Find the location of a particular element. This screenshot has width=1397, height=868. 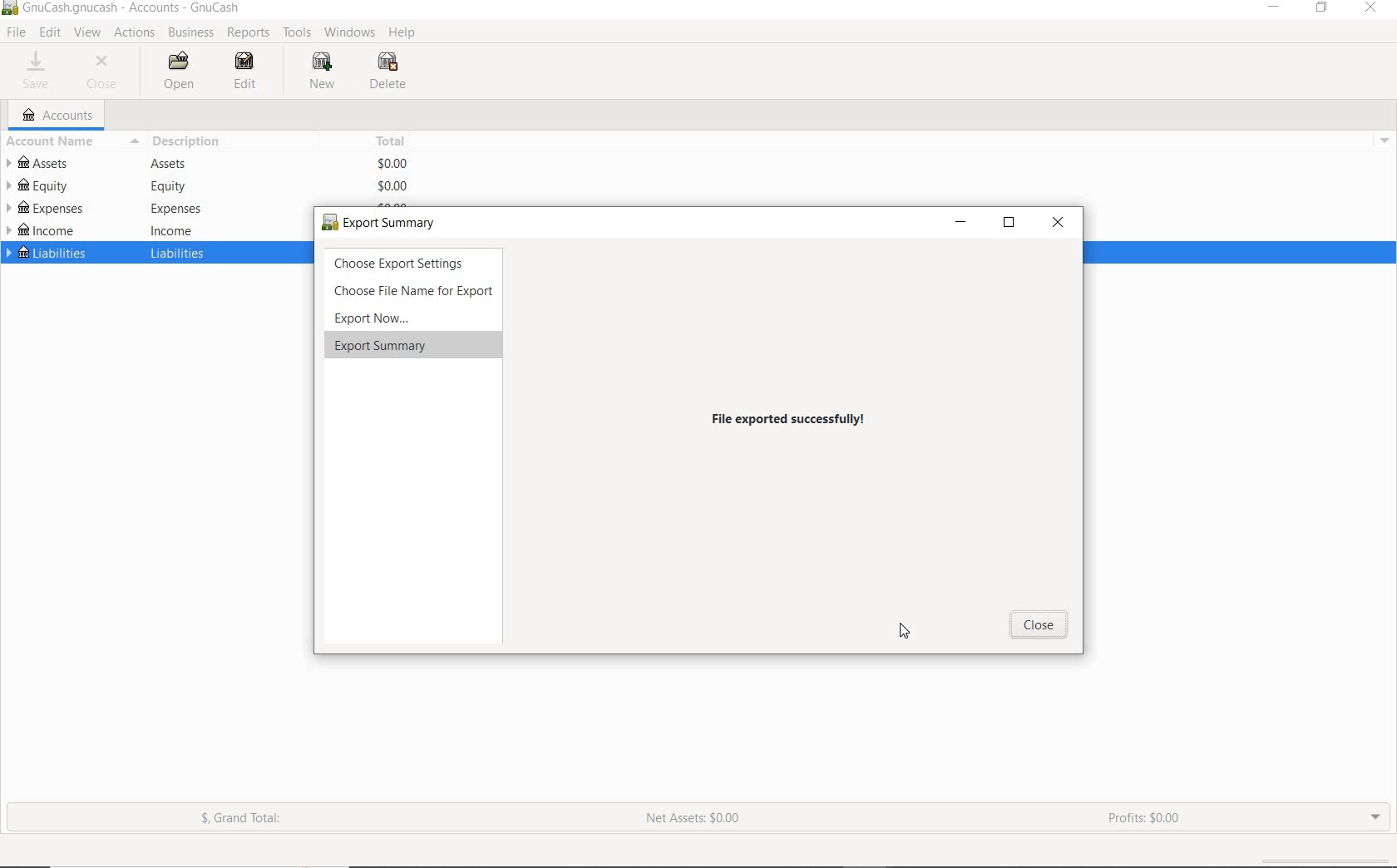

drop down is located at coordinates (1386, 140).